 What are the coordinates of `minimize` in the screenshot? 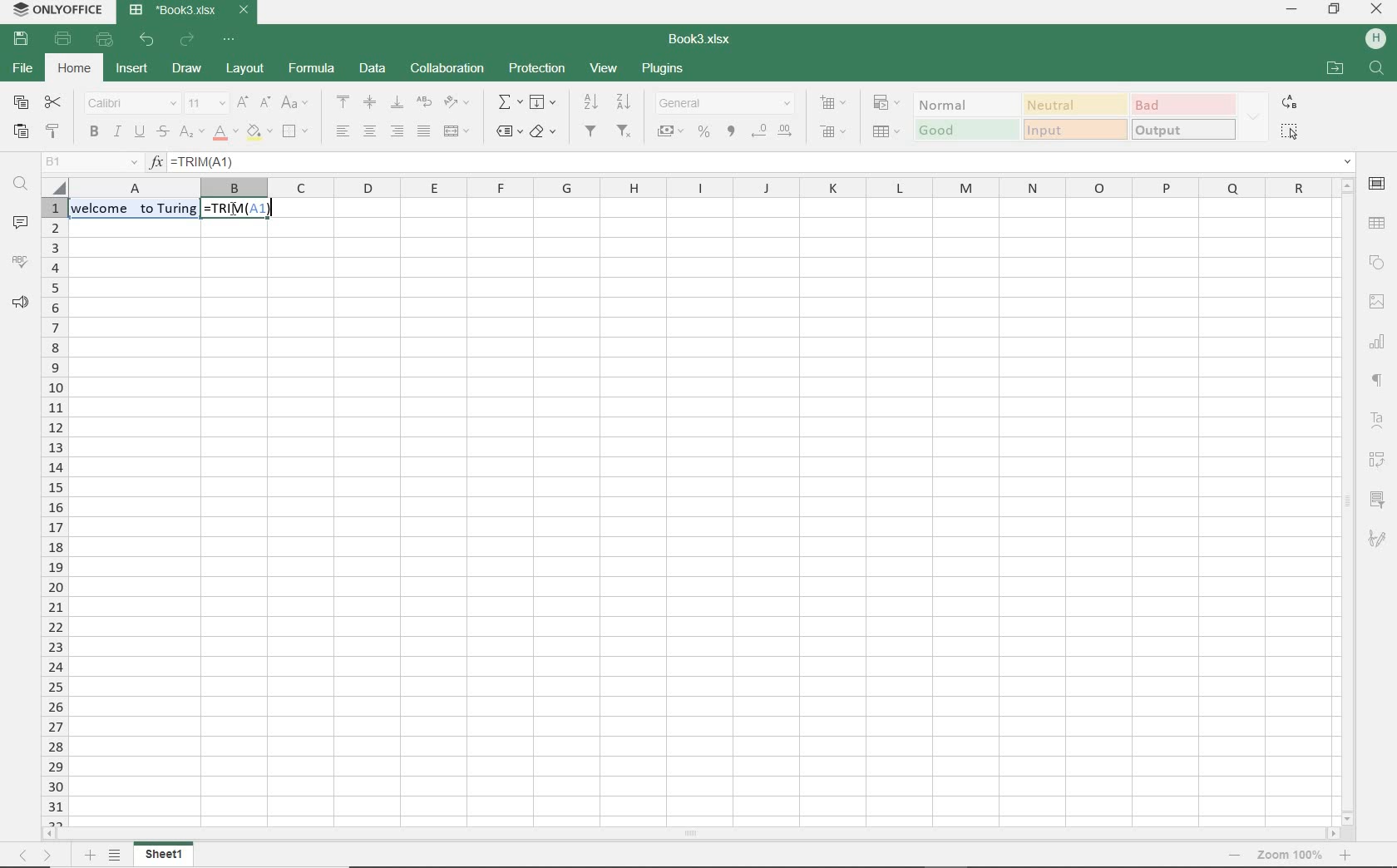 It's located at (1291, 8).